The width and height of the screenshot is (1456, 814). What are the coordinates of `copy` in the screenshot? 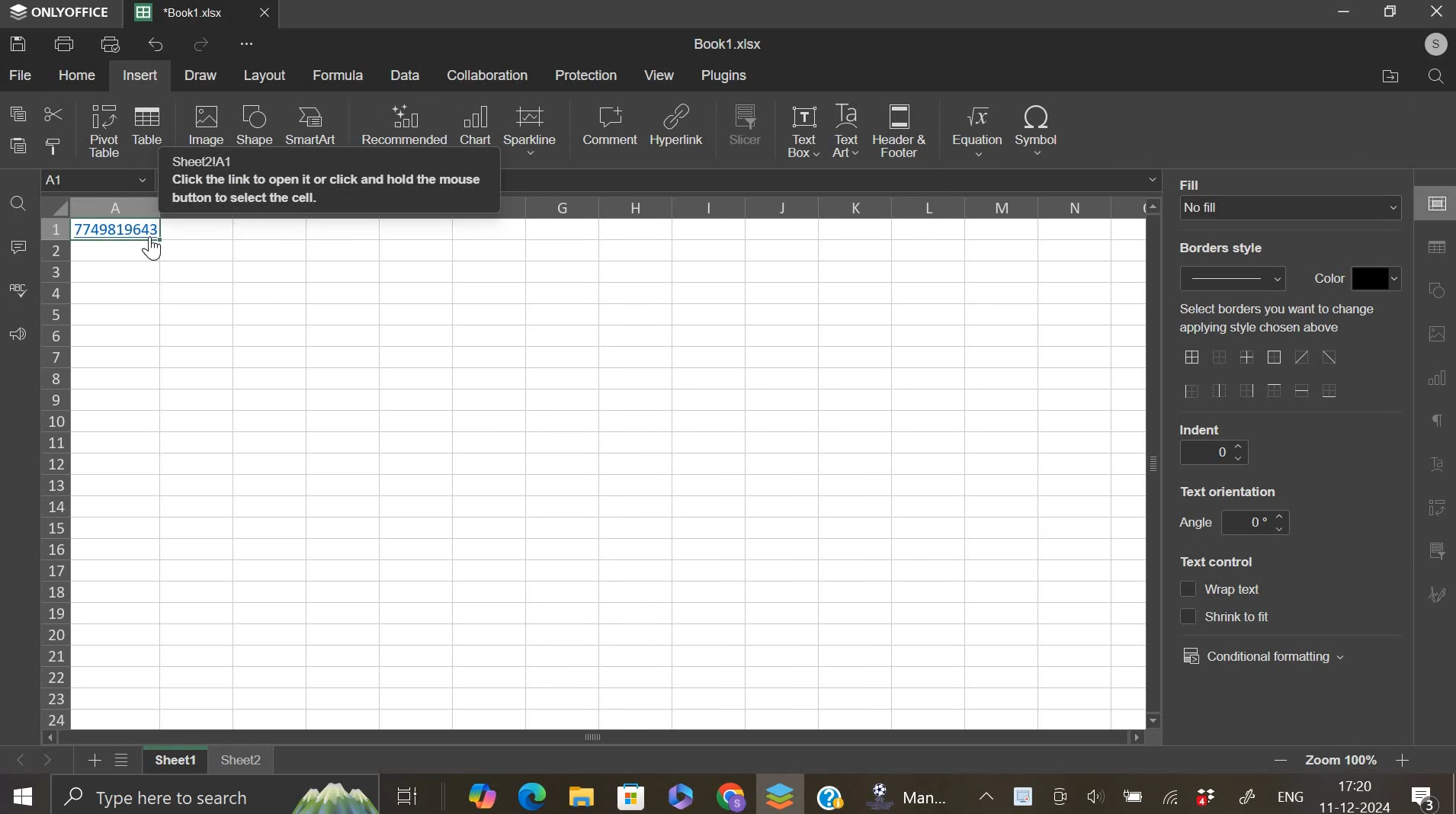 It's located at (18, 113).